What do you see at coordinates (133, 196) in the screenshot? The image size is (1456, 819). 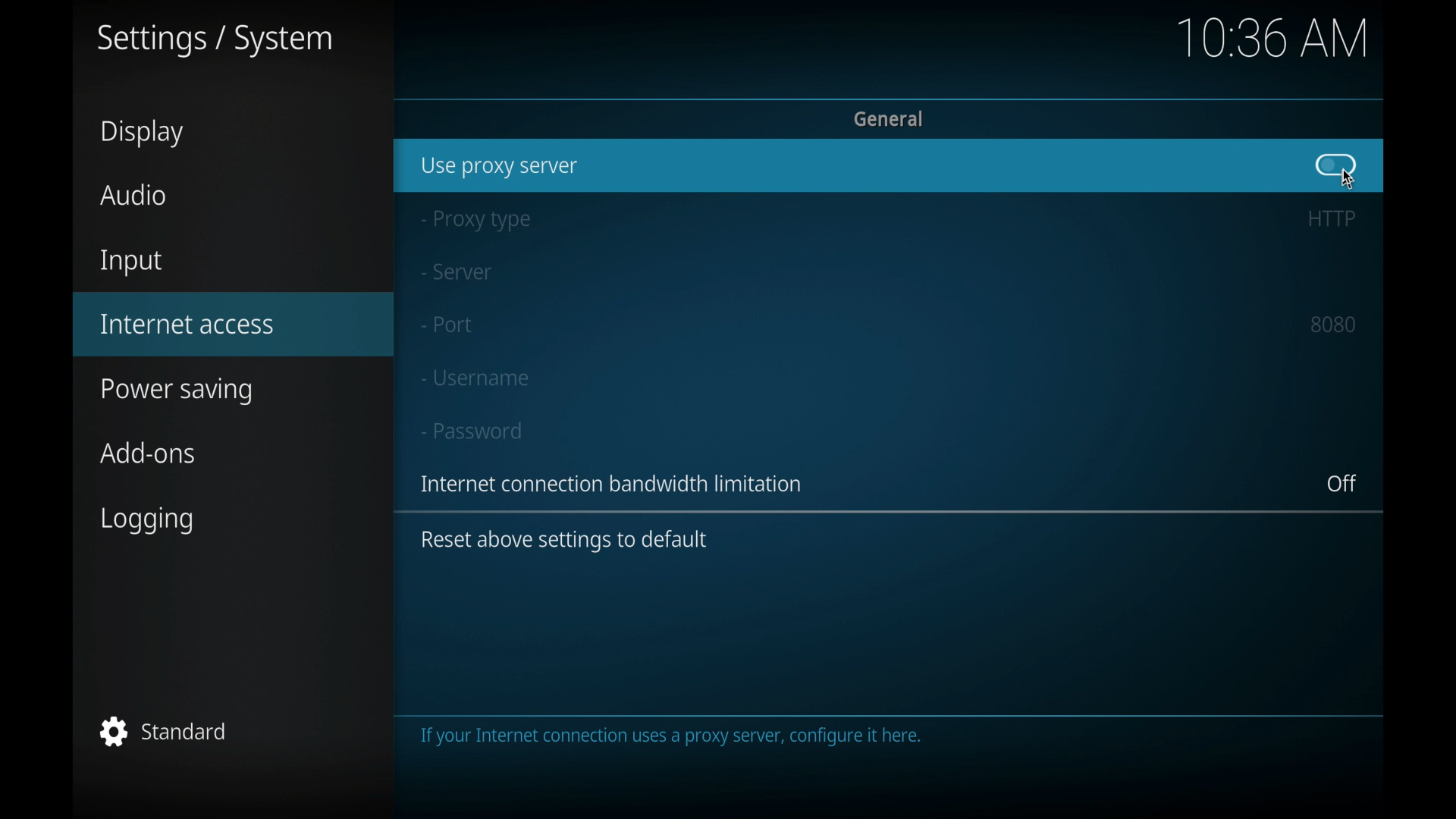 I see `audio` at bounding box center [133, 196].